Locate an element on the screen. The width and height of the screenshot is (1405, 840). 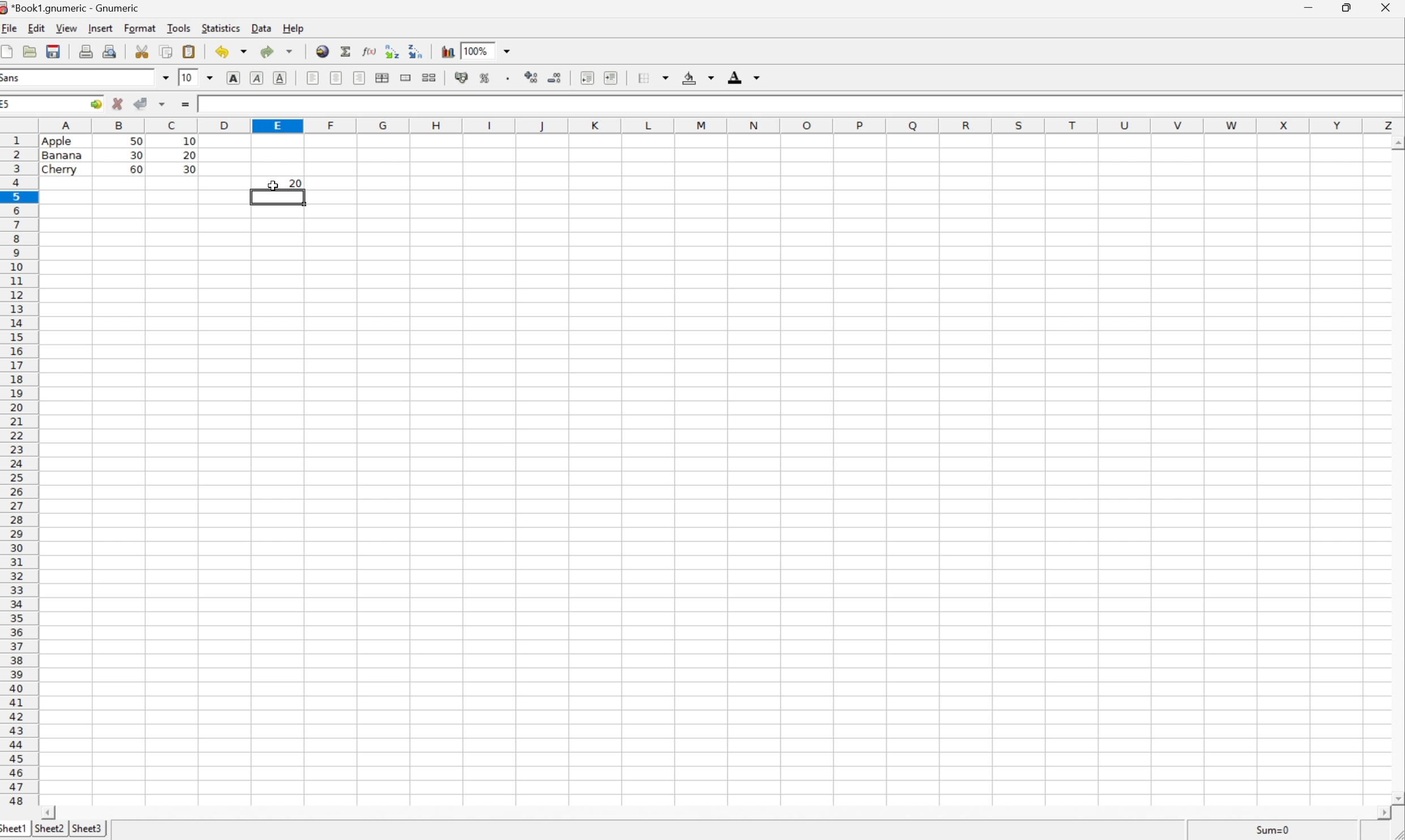
redo is located at coordinates (277, 52).